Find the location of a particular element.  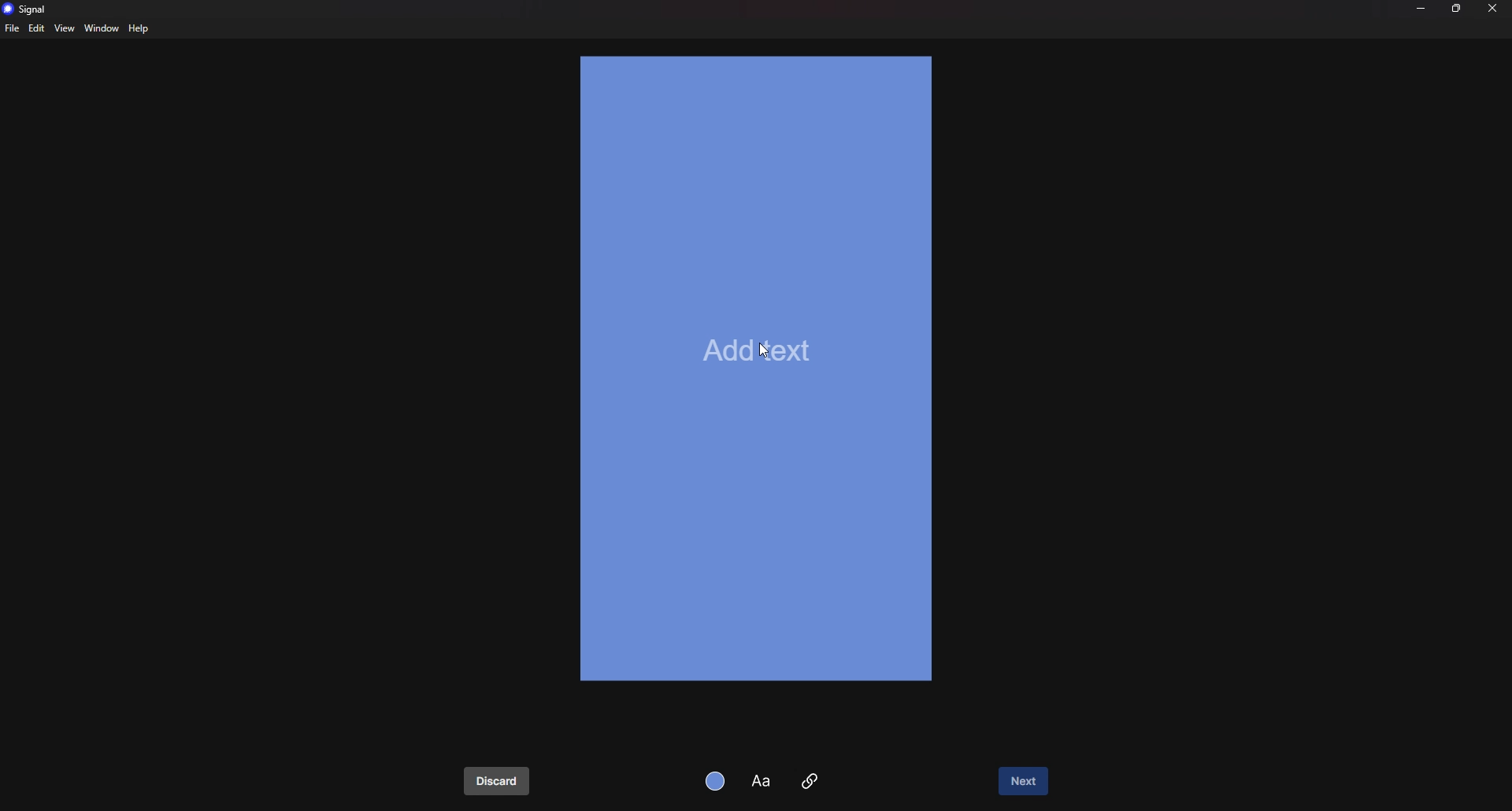

help is located at coordinates (140, 28).